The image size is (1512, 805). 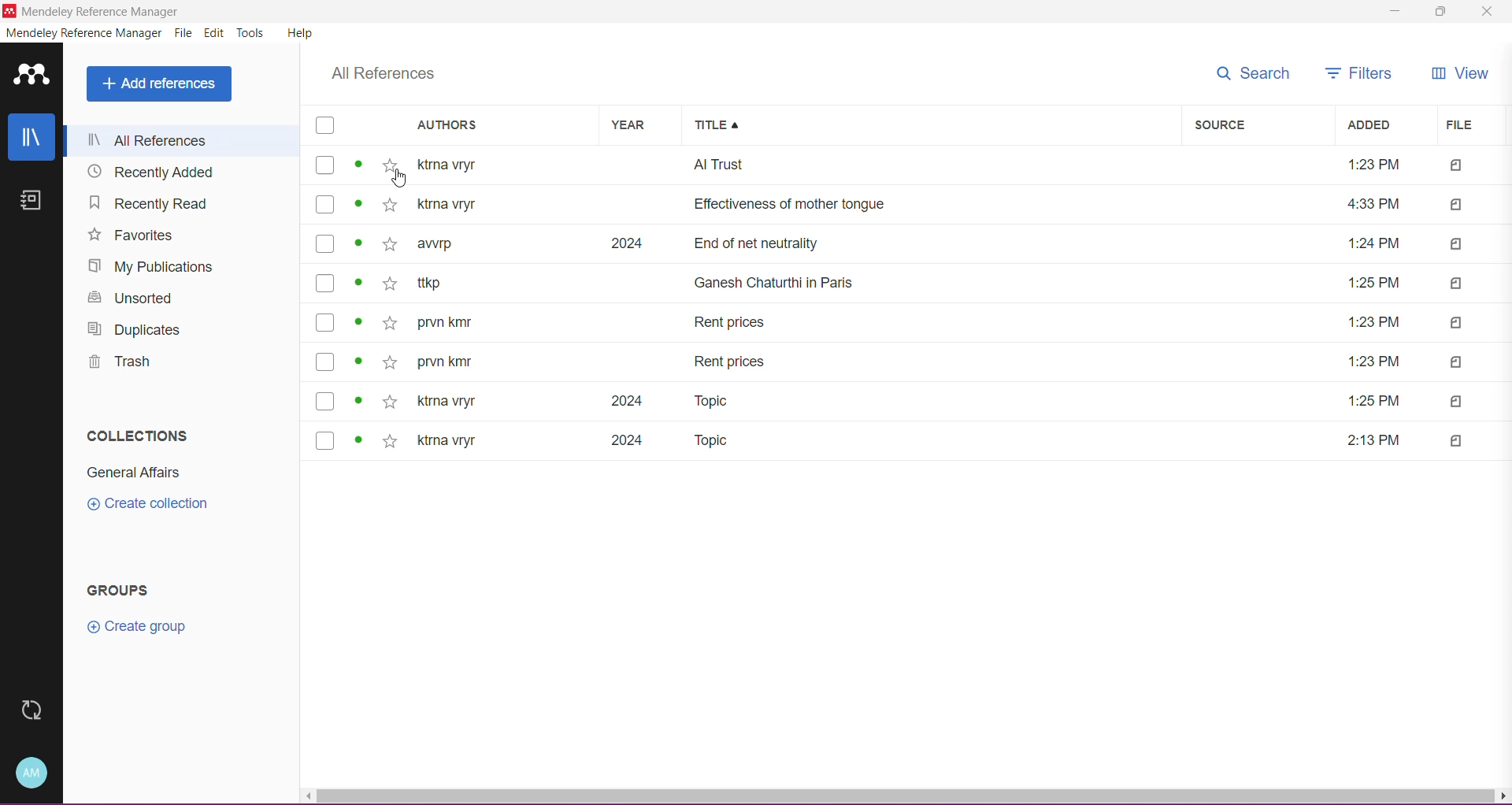 I want to click on Click to see more details, so click(x=358, y=360).